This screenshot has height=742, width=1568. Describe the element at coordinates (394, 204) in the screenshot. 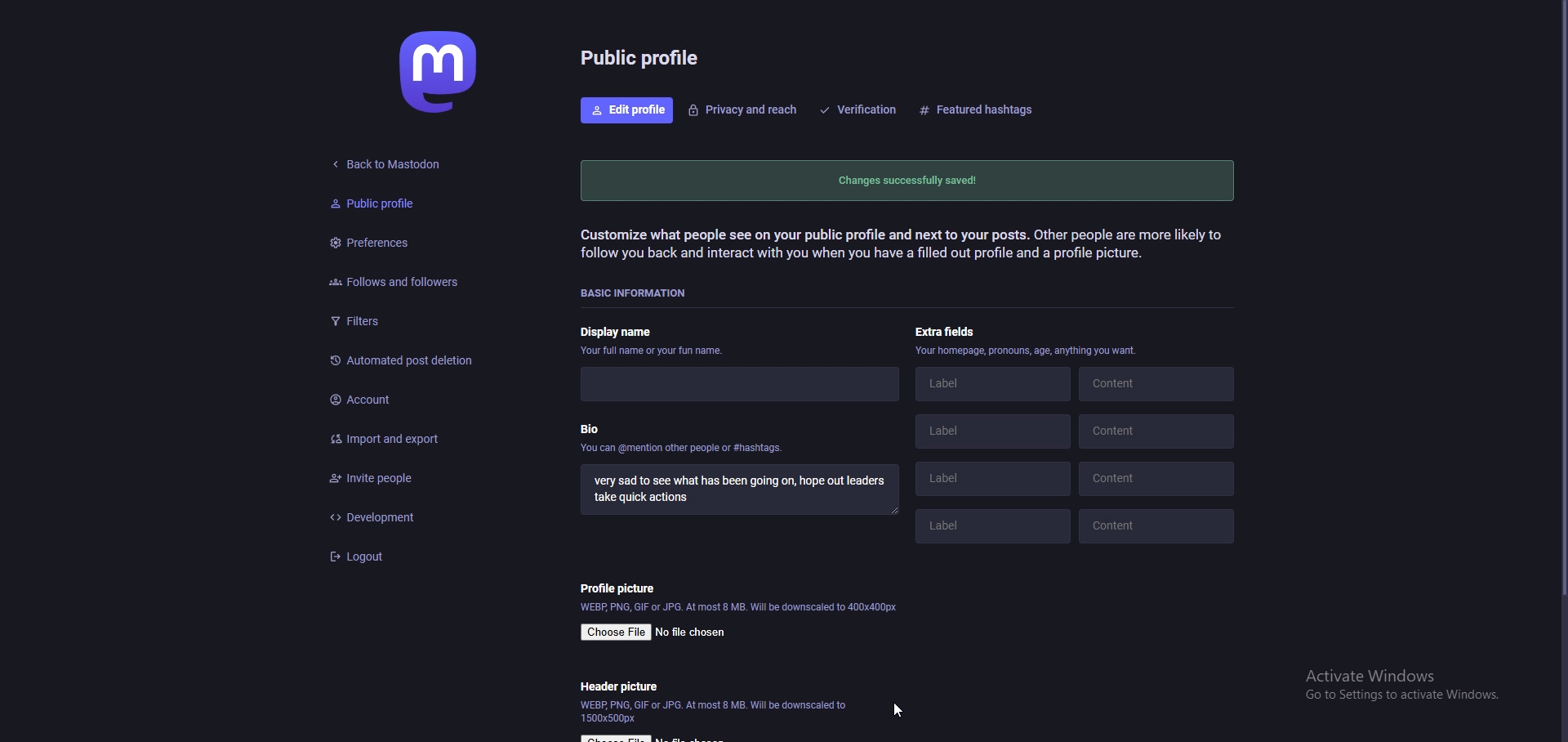

I see `public profile` at that location.